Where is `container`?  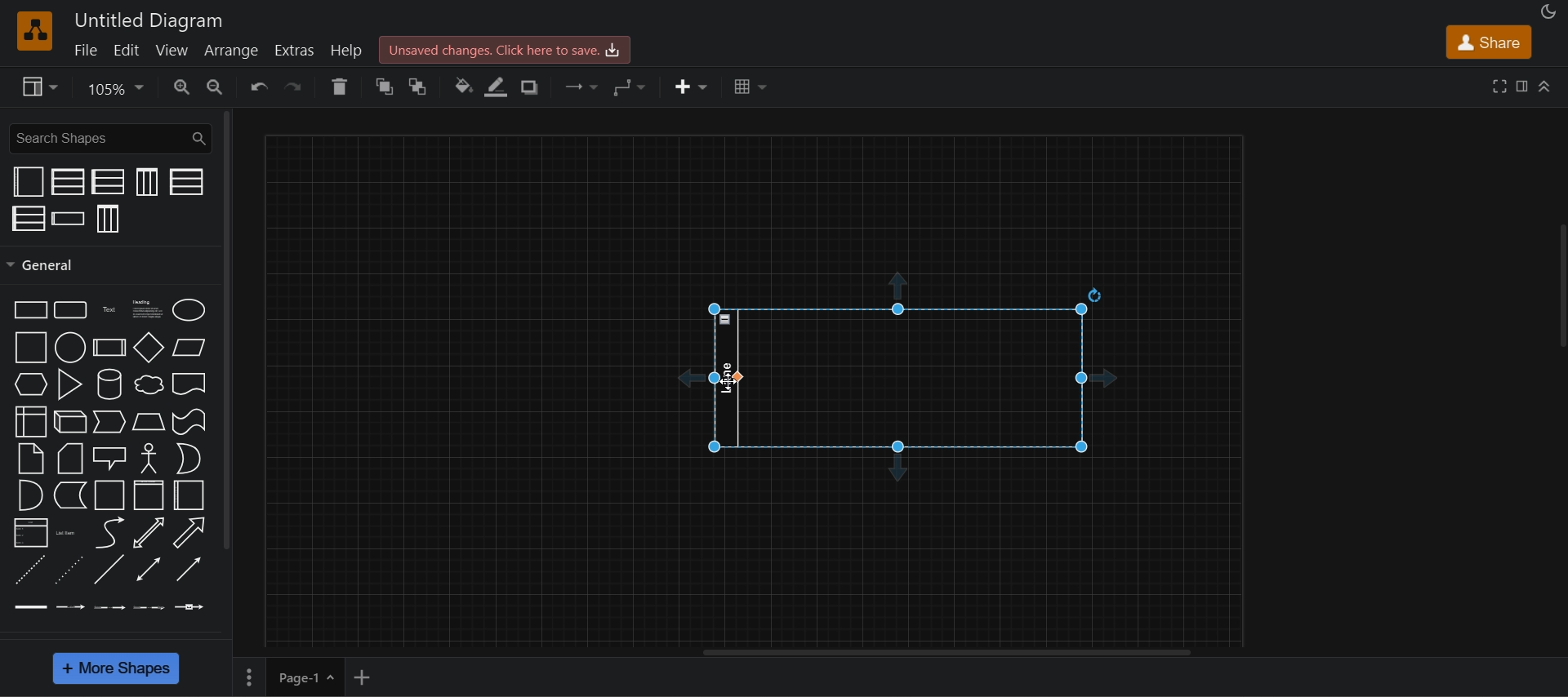 container is located at coordinates (29, 181).